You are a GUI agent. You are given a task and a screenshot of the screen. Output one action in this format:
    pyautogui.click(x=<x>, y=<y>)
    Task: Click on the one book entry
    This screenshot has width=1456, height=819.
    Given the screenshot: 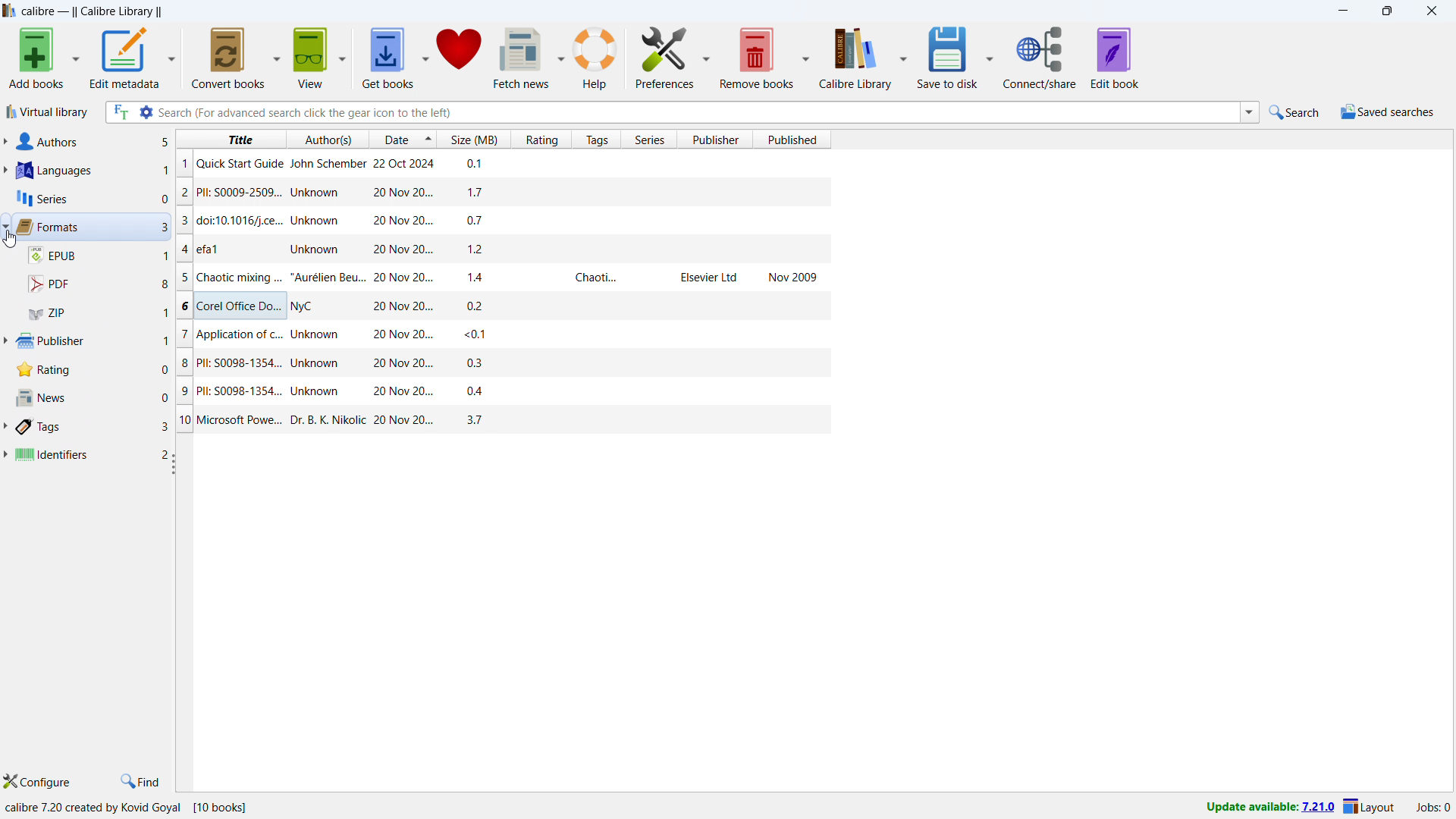 What is the action you would take?
    pyautogui.click(x=505, y=419)
    